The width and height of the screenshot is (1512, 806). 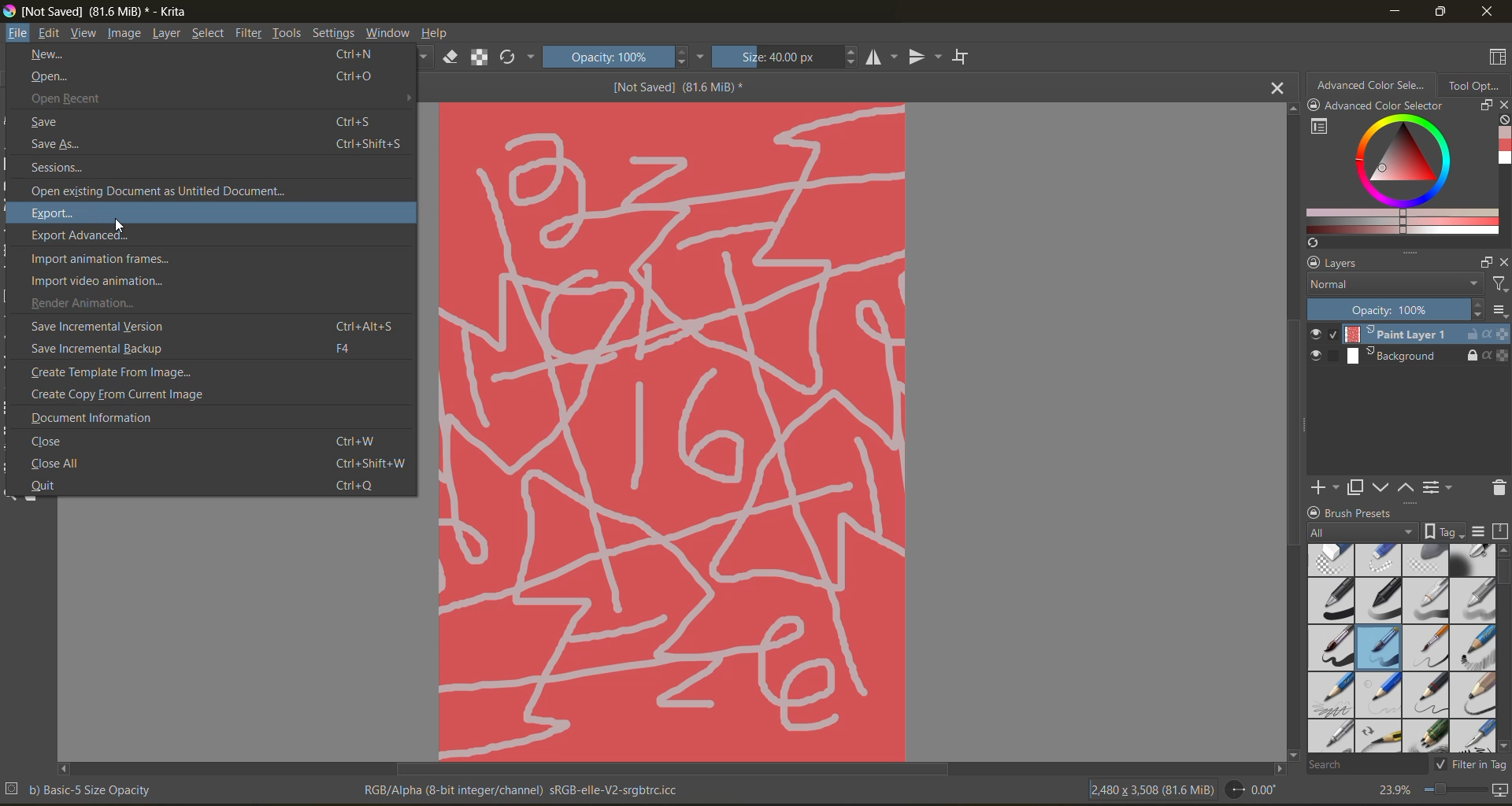 I want to click on set eraser mode, so click(x=451, y=56).